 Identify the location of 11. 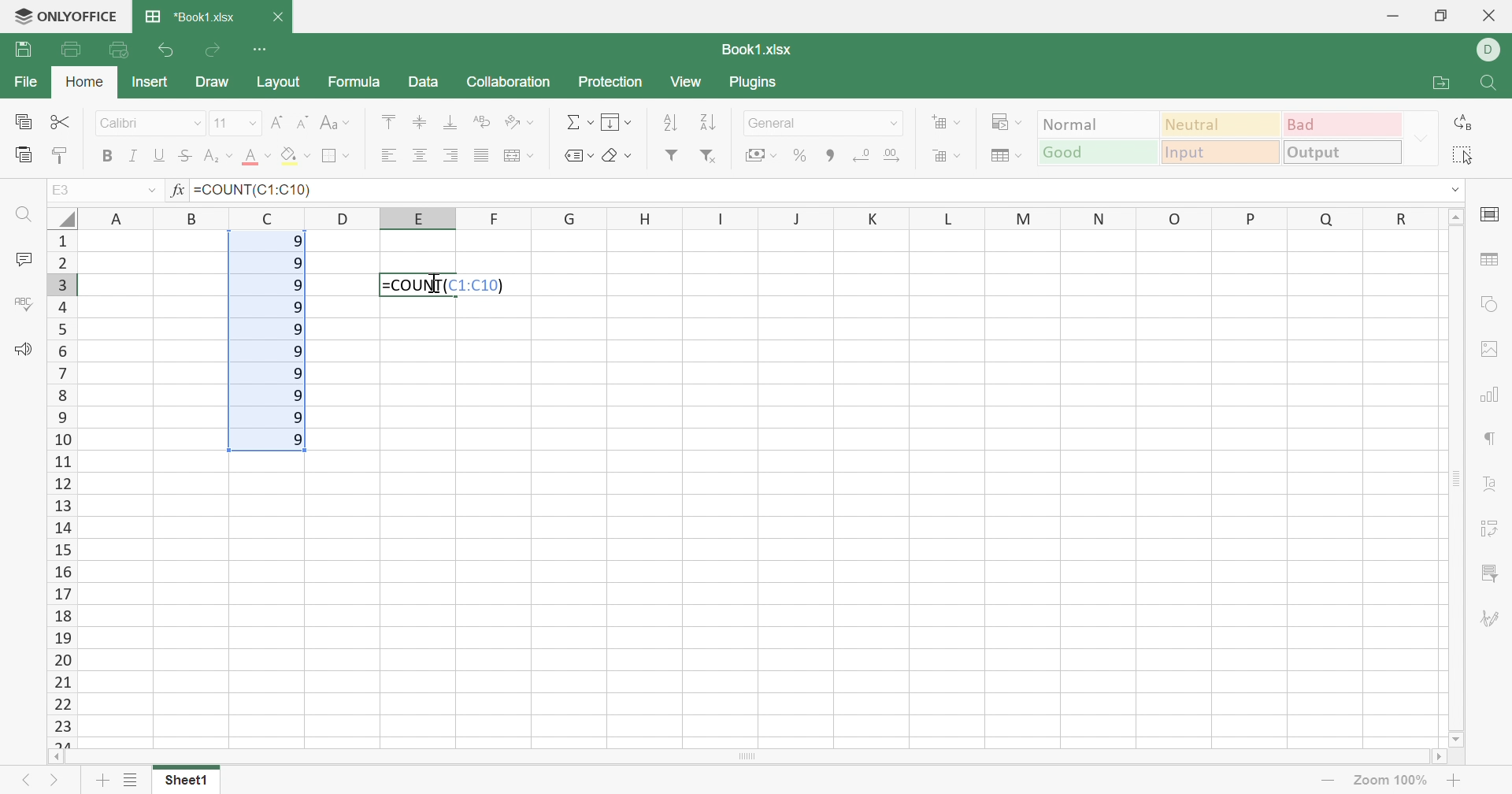
(218, 120).